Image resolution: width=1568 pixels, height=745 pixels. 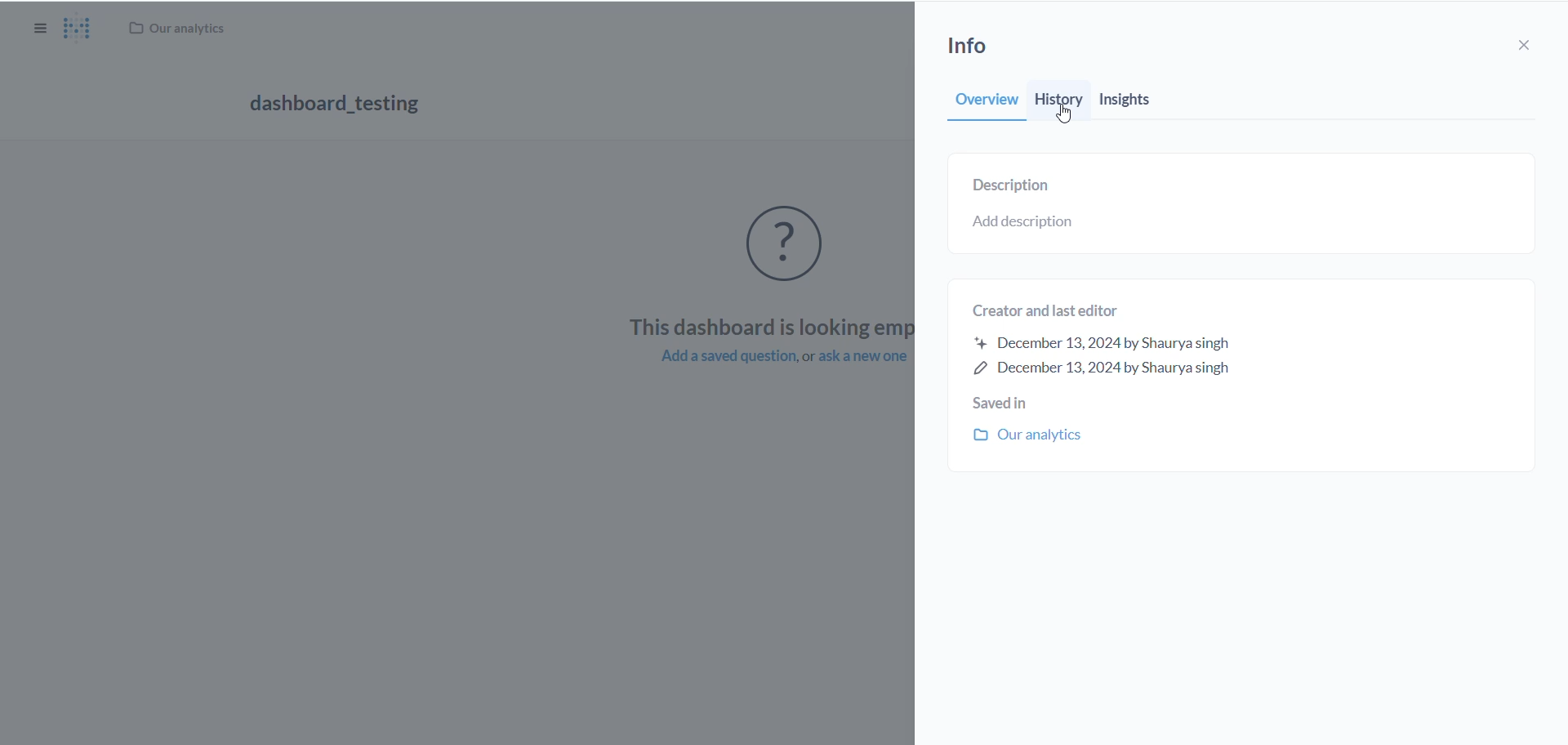 What do you see at coordinates (978, 50) in the screenshot?
I see `info ` at bounding box center [978, 50].